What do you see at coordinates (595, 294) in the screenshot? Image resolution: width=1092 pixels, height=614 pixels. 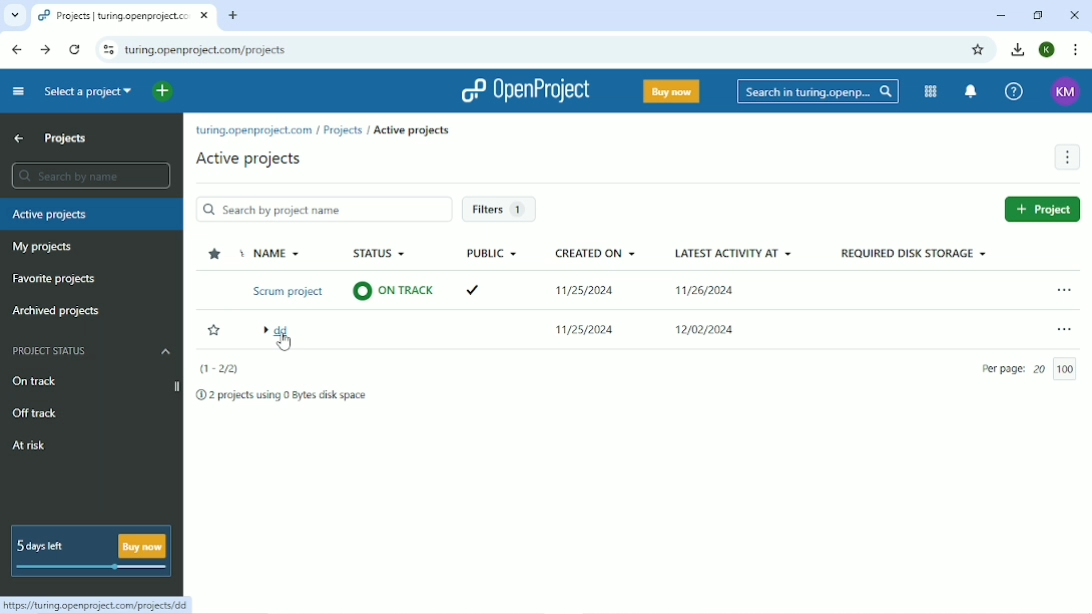 I see `Created on` at bounding box center [595, 294].